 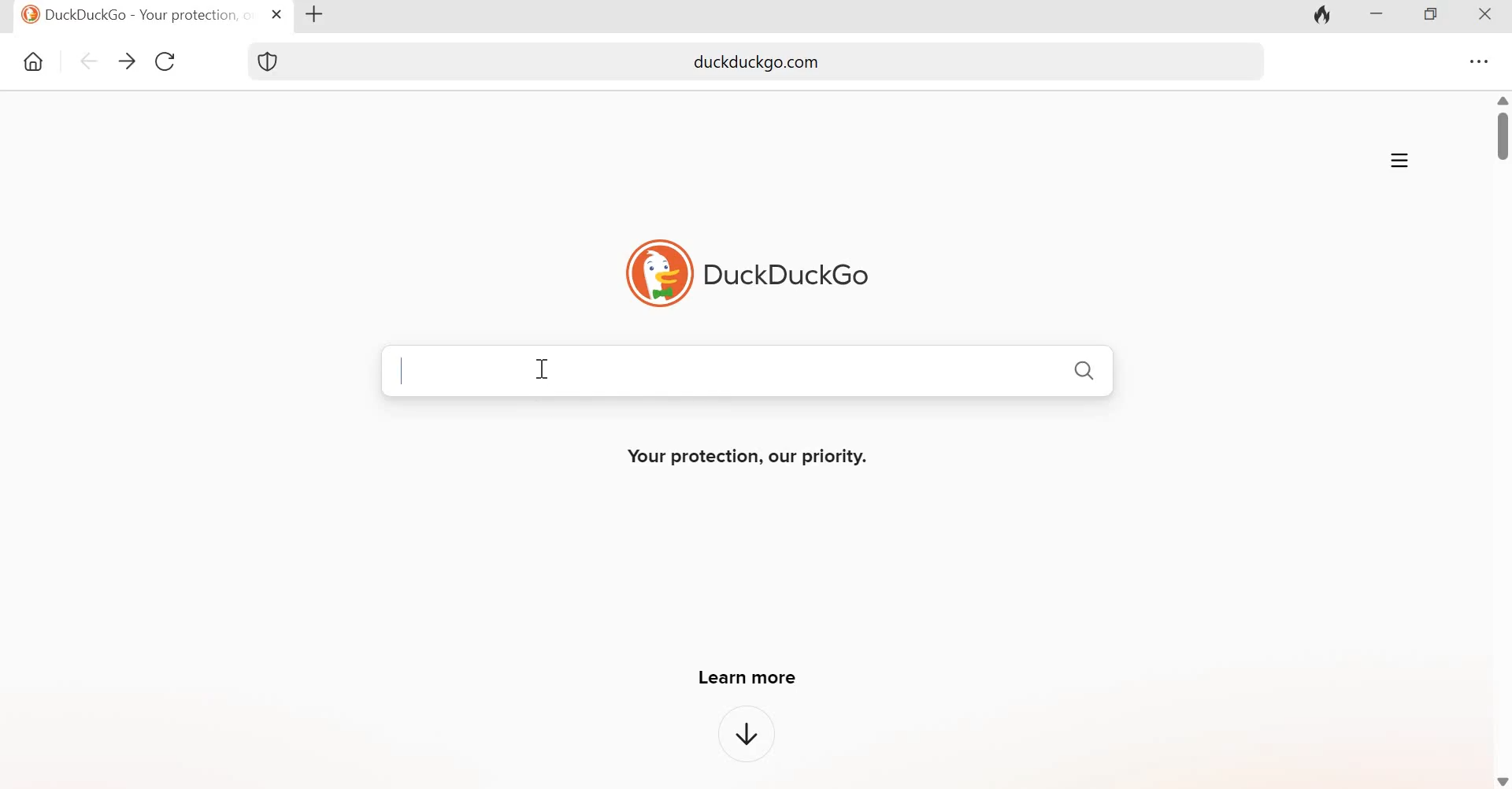 I want to click on Reload this page, so click(x=166, y=63).